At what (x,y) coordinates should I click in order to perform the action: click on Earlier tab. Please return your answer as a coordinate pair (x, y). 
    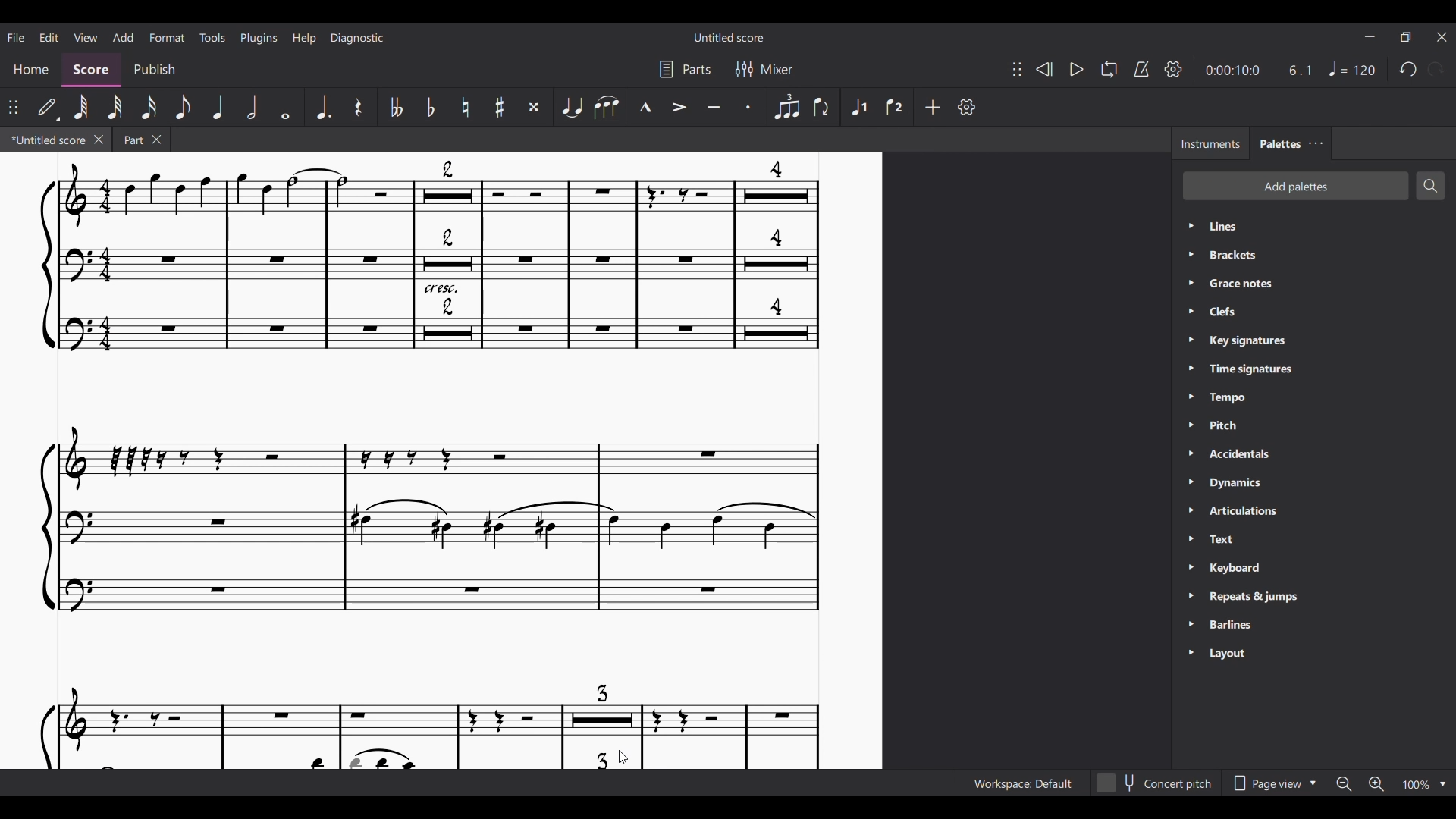
    Looking at the image, I should click on (142, 139).